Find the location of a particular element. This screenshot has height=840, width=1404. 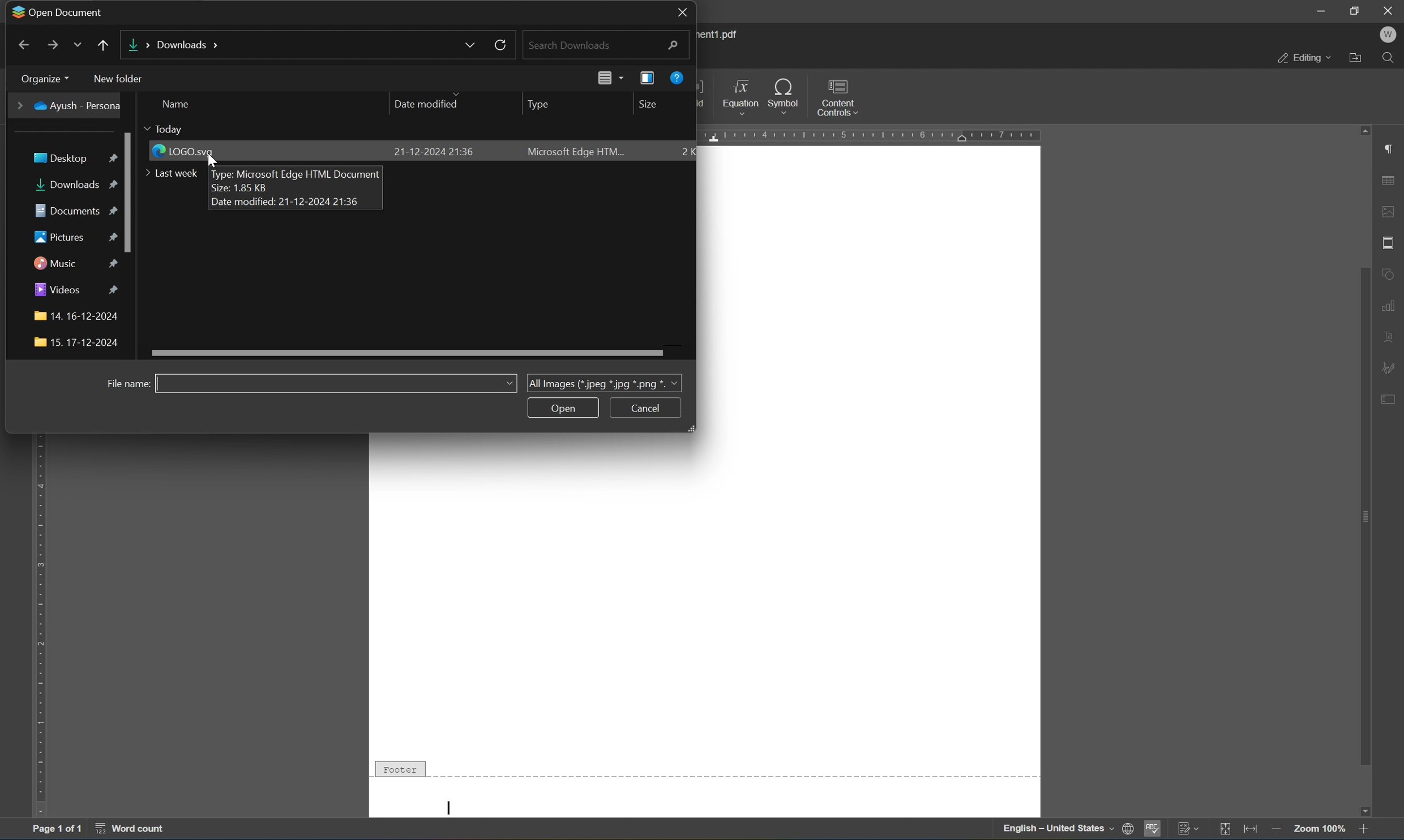

fit to slide is located at coordinates (1224, 830).